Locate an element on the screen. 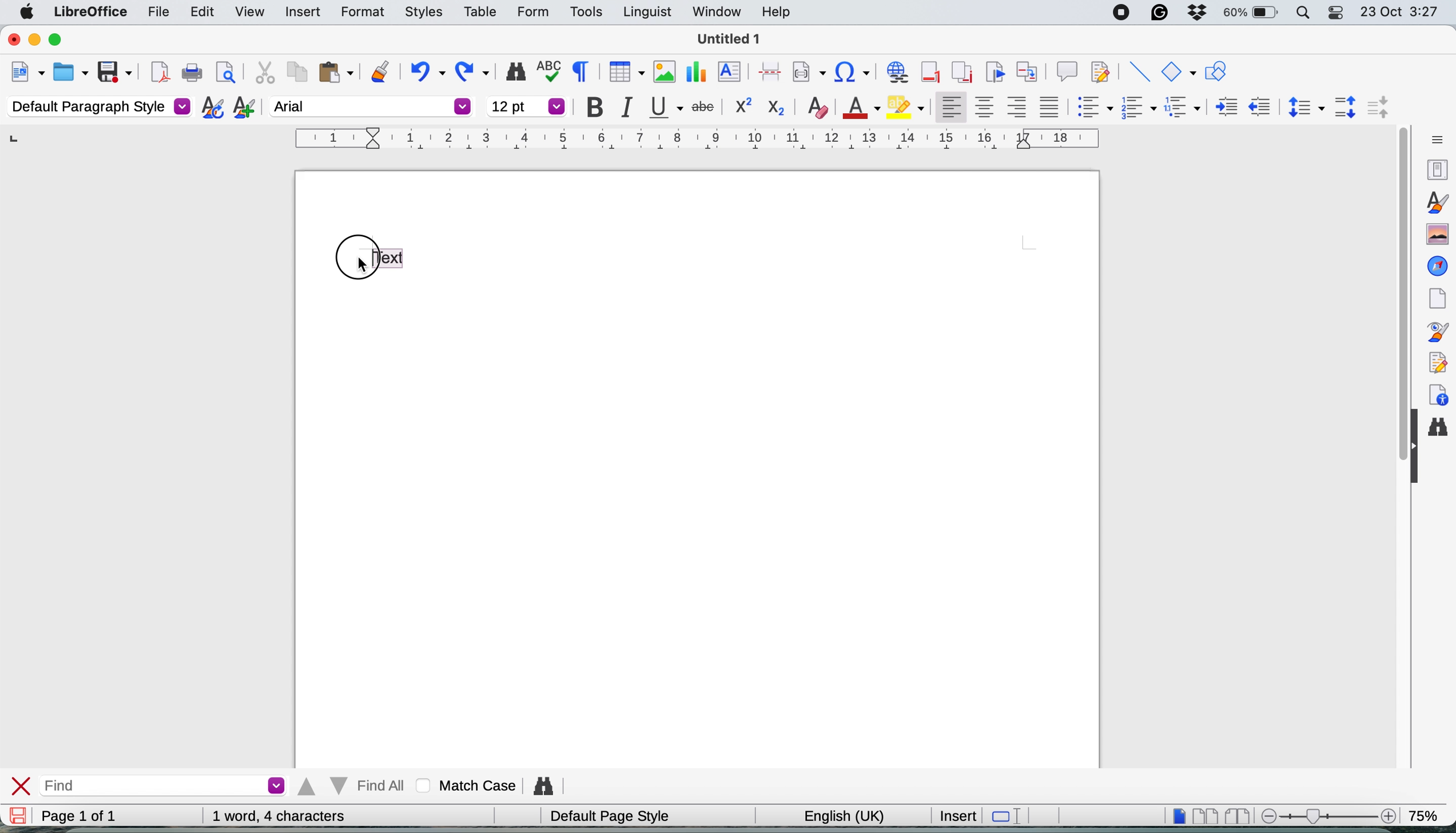  vertical scroll bar is located at coordinates (1398, 265).